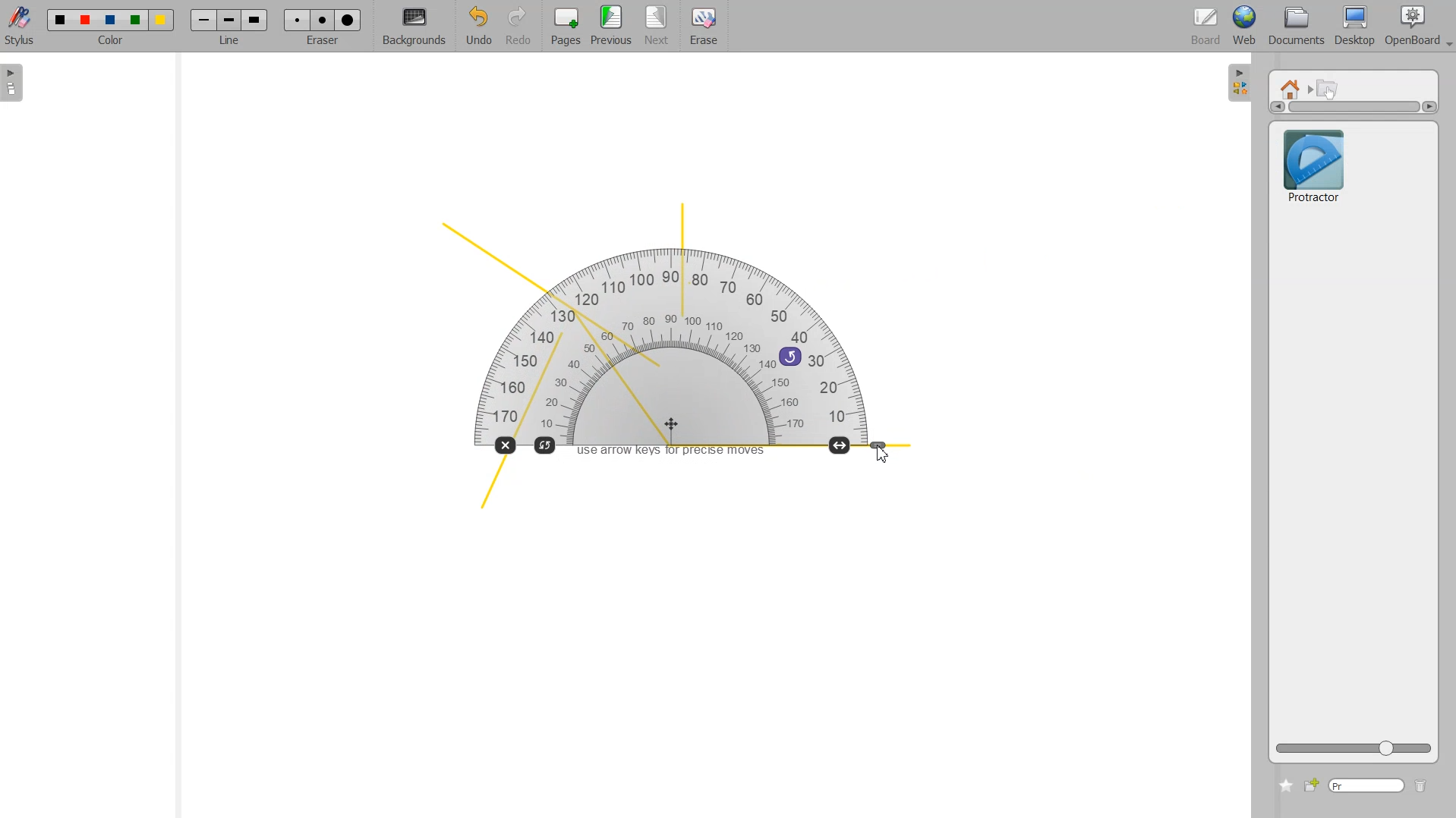  I want to click on Flip, so click(546, 444).